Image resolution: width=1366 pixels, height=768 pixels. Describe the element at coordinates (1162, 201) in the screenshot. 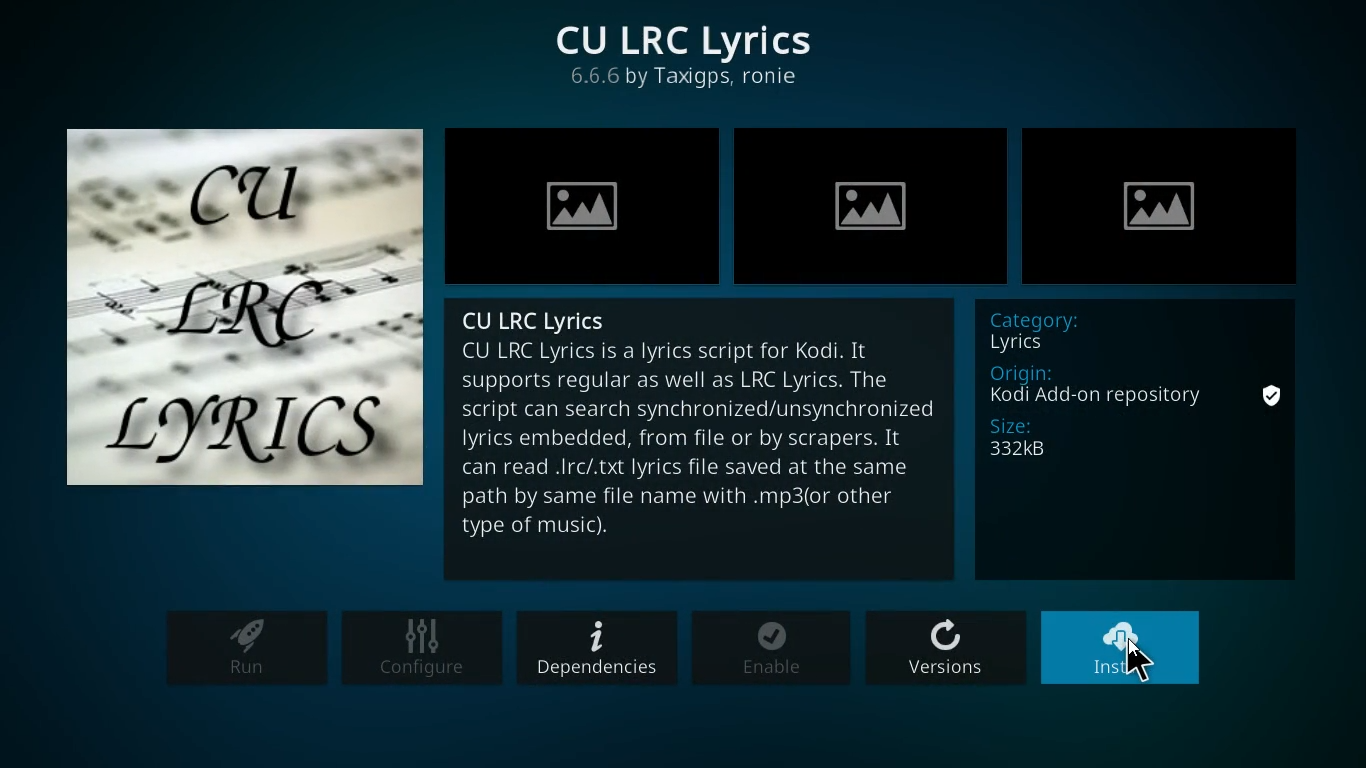

I see `image` at that location.